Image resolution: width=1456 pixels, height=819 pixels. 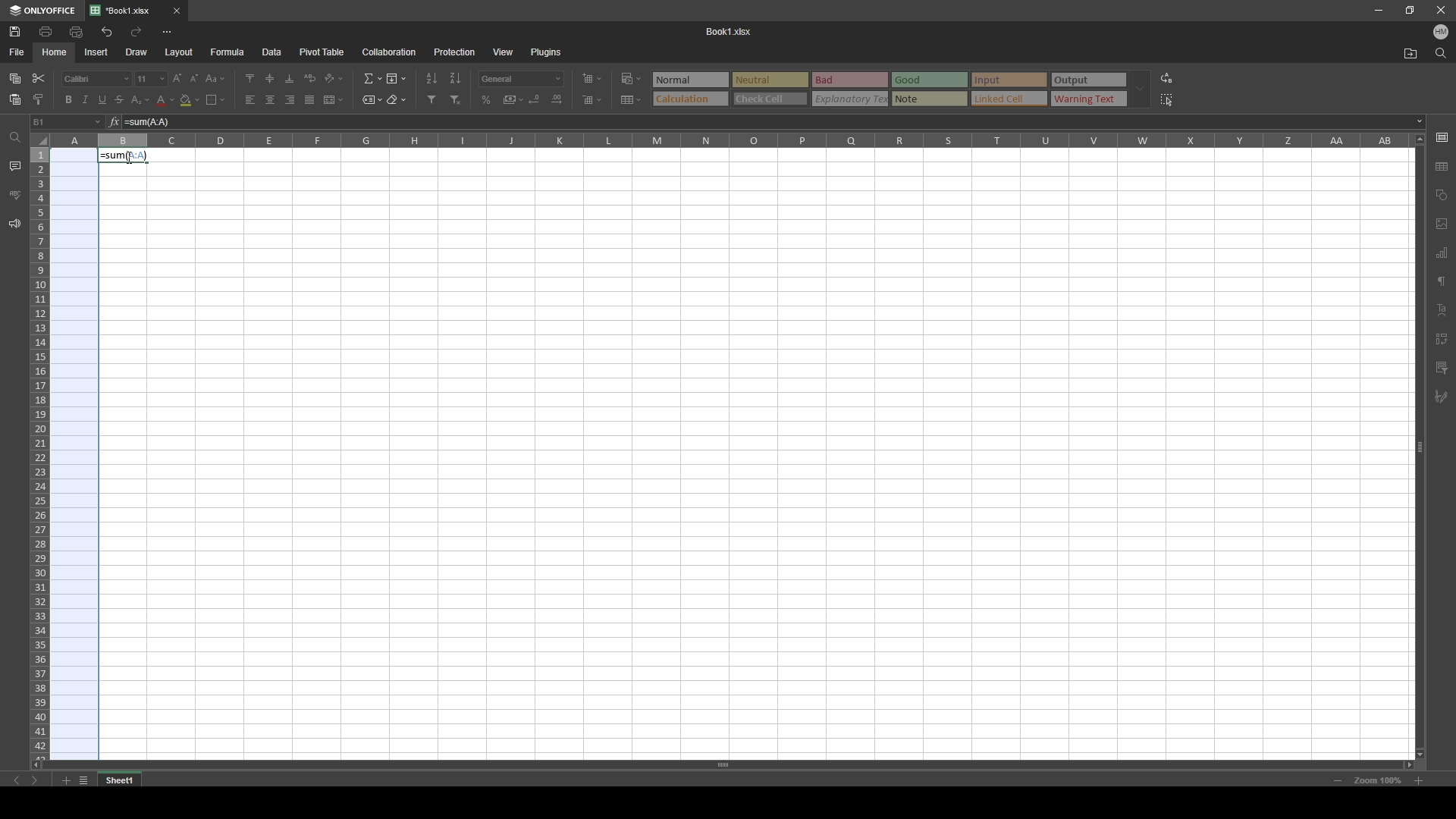 What do you see at coordinates (487, 100) in the screenshot?
I see `percentage style` at bounding box center [487, 100].